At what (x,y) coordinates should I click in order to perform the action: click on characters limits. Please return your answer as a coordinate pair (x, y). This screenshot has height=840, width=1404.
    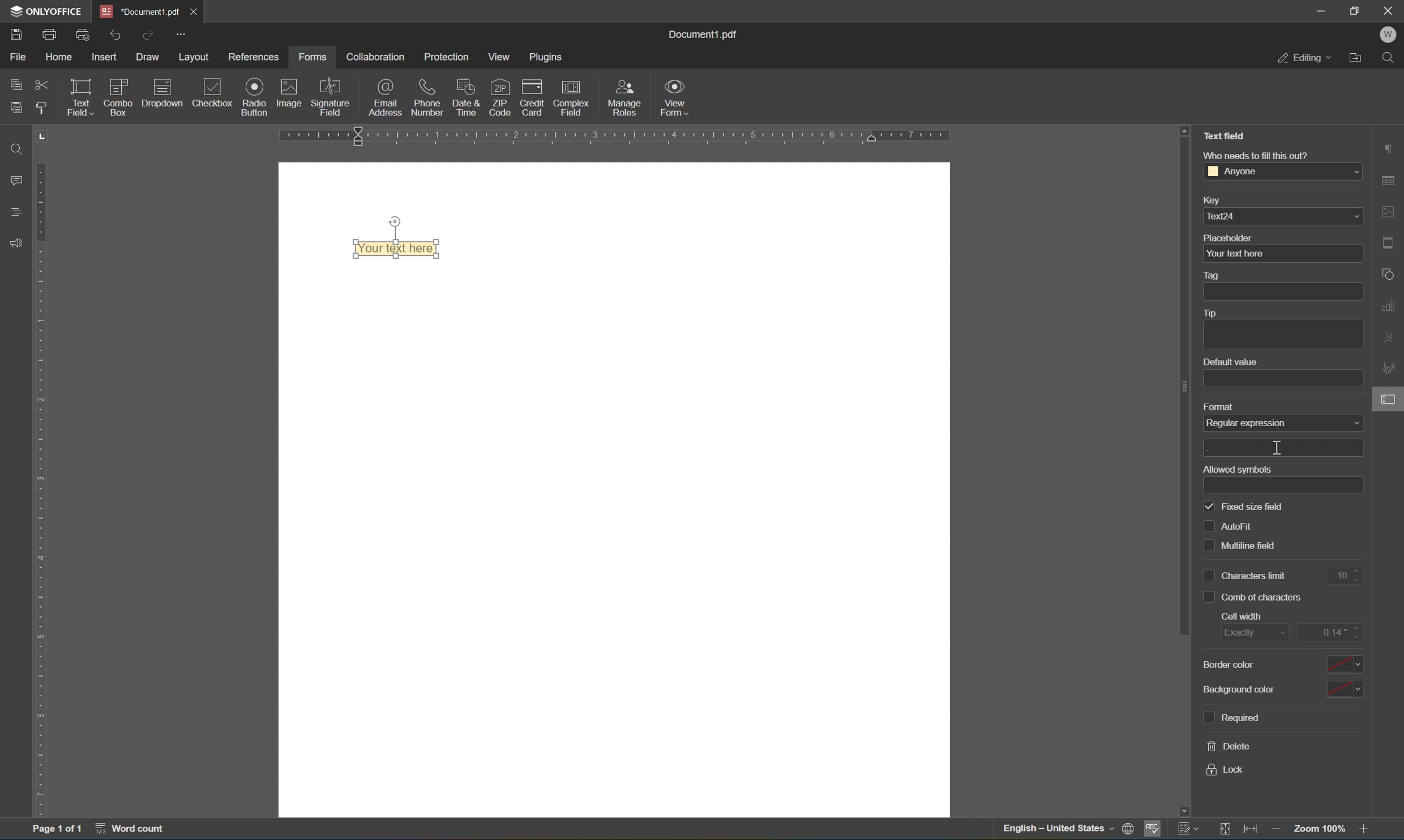
    Looking at the image, I should click on (1246, 576).